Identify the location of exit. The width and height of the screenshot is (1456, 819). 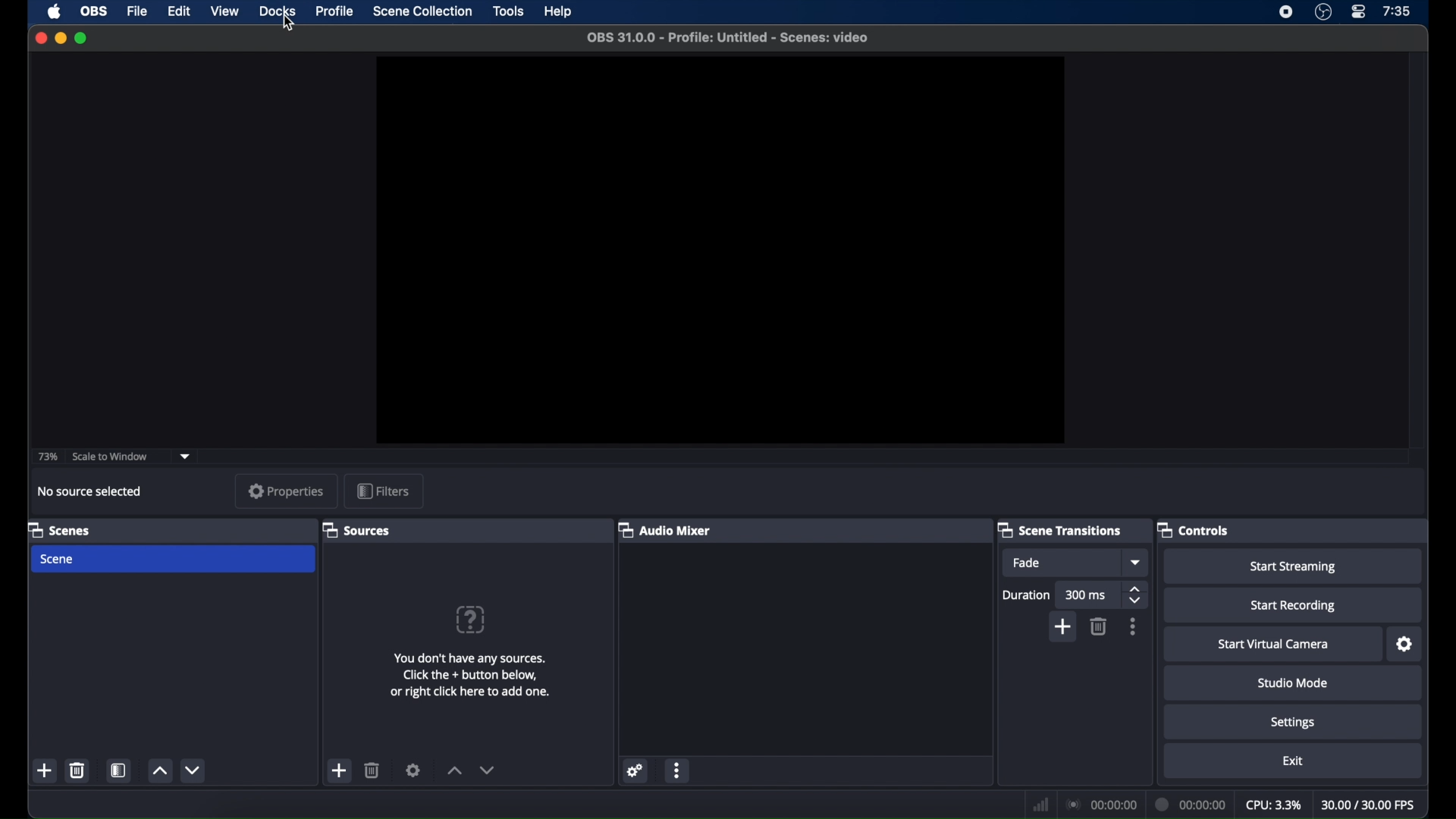
(1292, 761).